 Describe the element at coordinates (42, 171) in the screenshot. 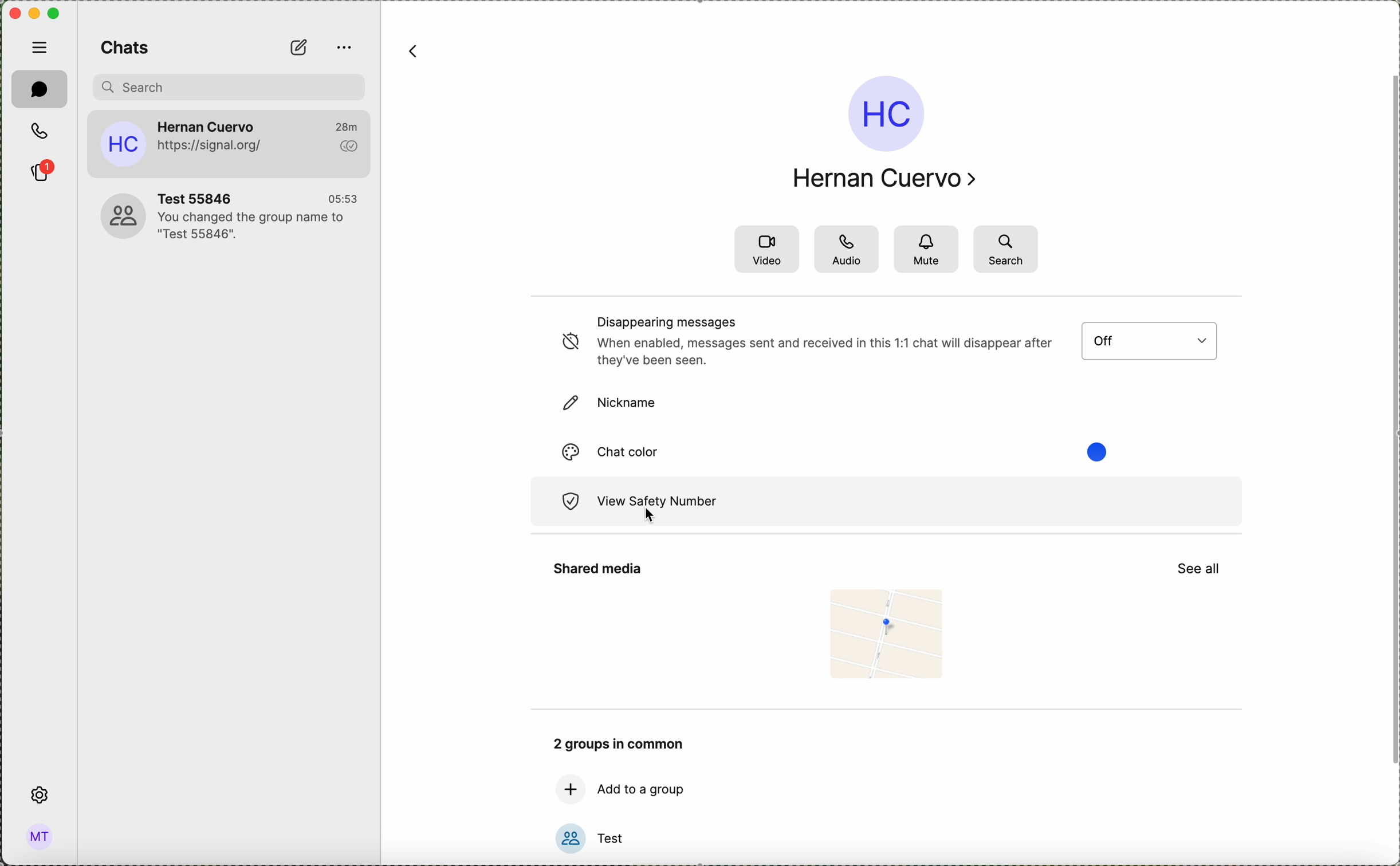

I see `stories` at that location.